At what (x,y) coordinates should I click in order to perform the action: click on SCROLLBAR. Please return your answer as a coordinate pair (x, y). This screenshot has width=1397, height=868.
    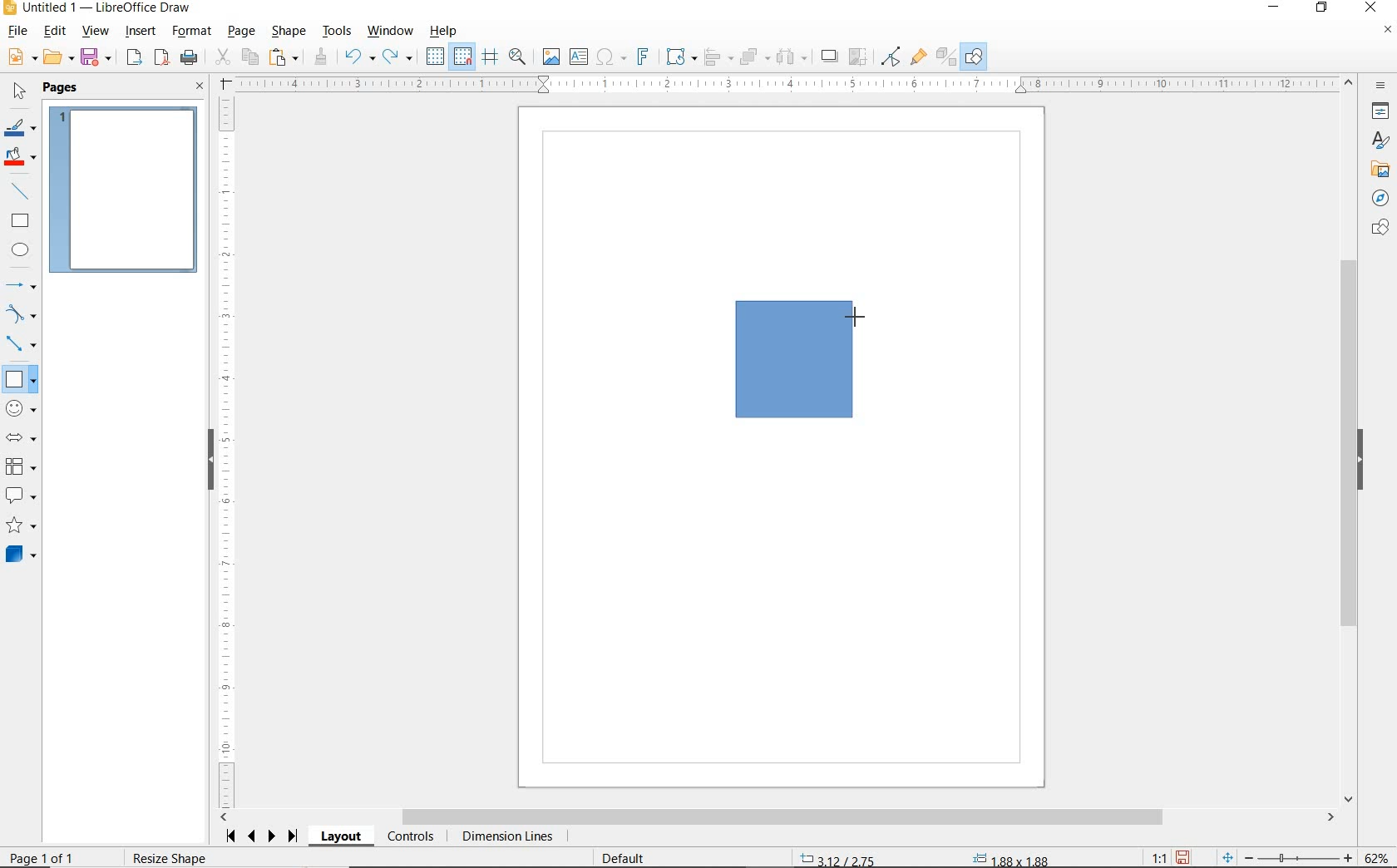
    Looking at the image, I should click on (777, 817).